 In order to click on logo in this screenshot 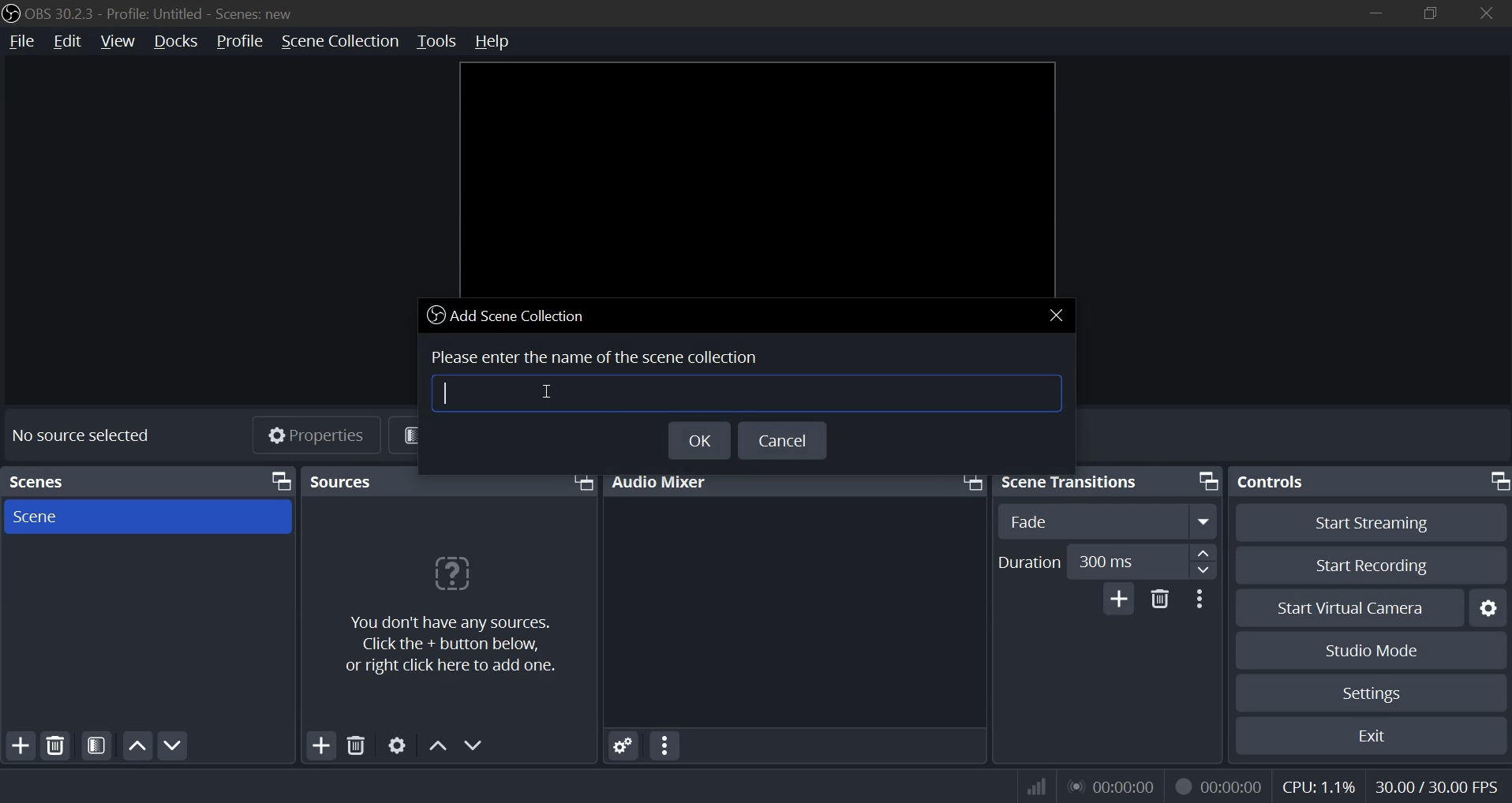, I will do `click(10, 12)`.